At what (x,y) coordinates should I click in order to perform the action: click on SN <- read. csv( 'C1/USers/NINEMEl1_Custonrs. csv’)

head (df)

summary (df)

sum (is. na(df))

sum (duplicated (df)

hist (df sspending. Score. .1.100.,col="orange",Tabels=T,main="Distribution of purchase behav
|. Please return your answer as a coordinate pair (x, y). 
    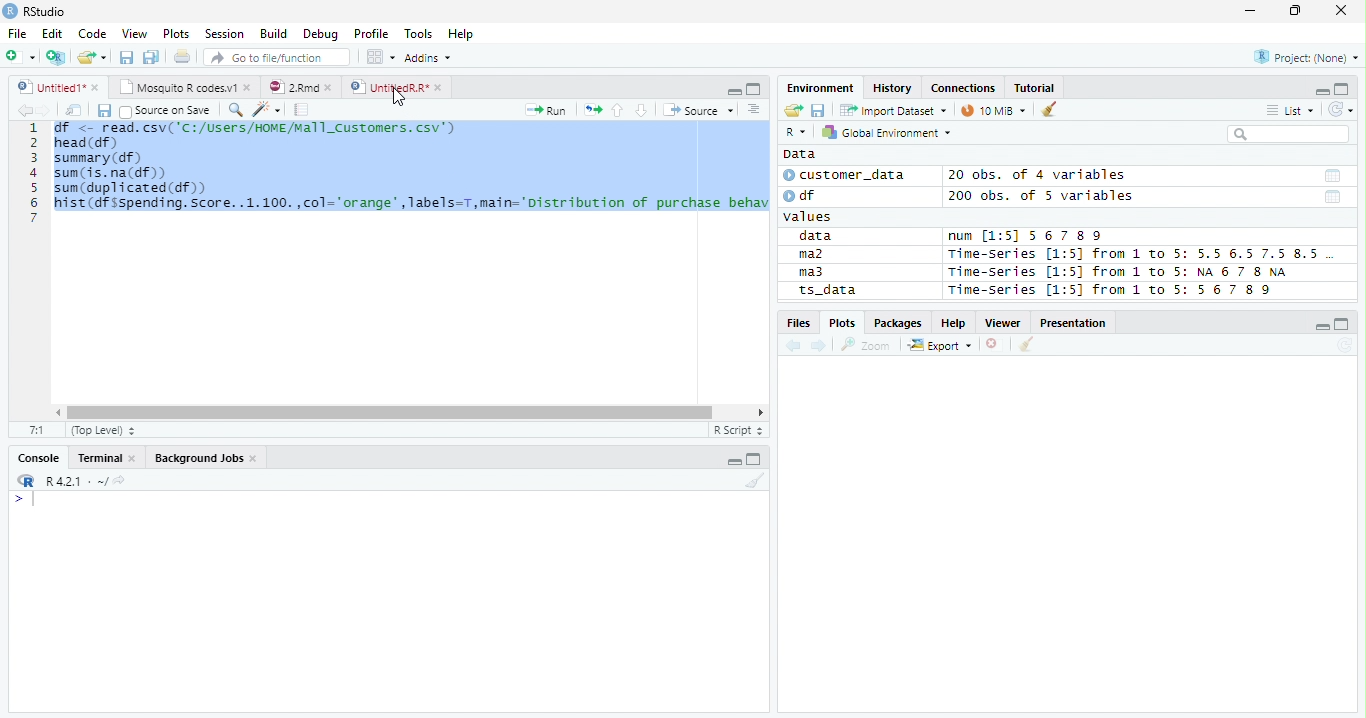
    Looking at the image, I should click on (412, 178).